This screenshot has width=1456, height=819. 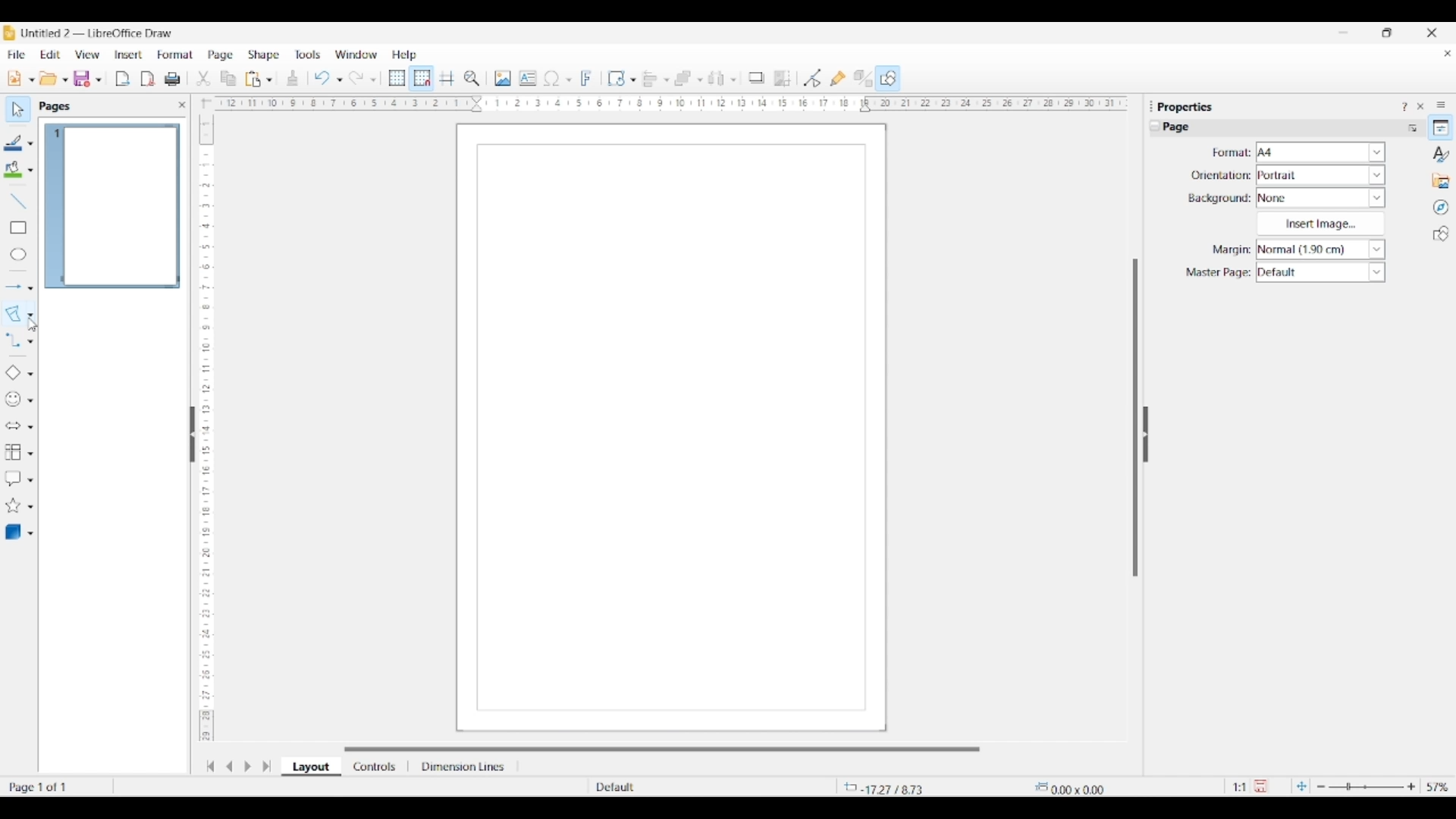 What do you see at coordinates (503, 78) in the screenshot?
I see `Insert image` at bounding box center [503, 78].